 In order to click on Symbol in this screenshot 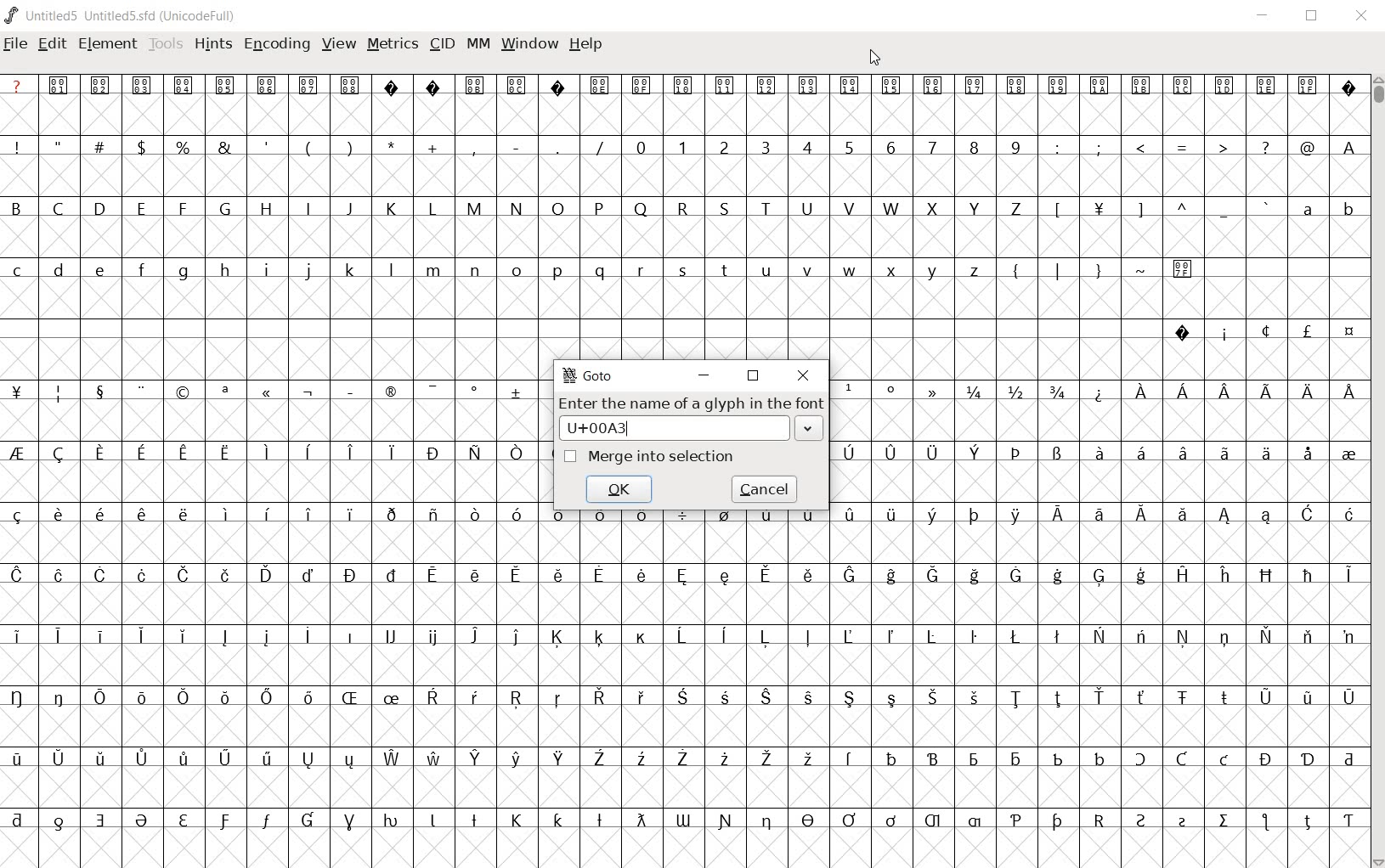, I will do `click(475, 392)`.